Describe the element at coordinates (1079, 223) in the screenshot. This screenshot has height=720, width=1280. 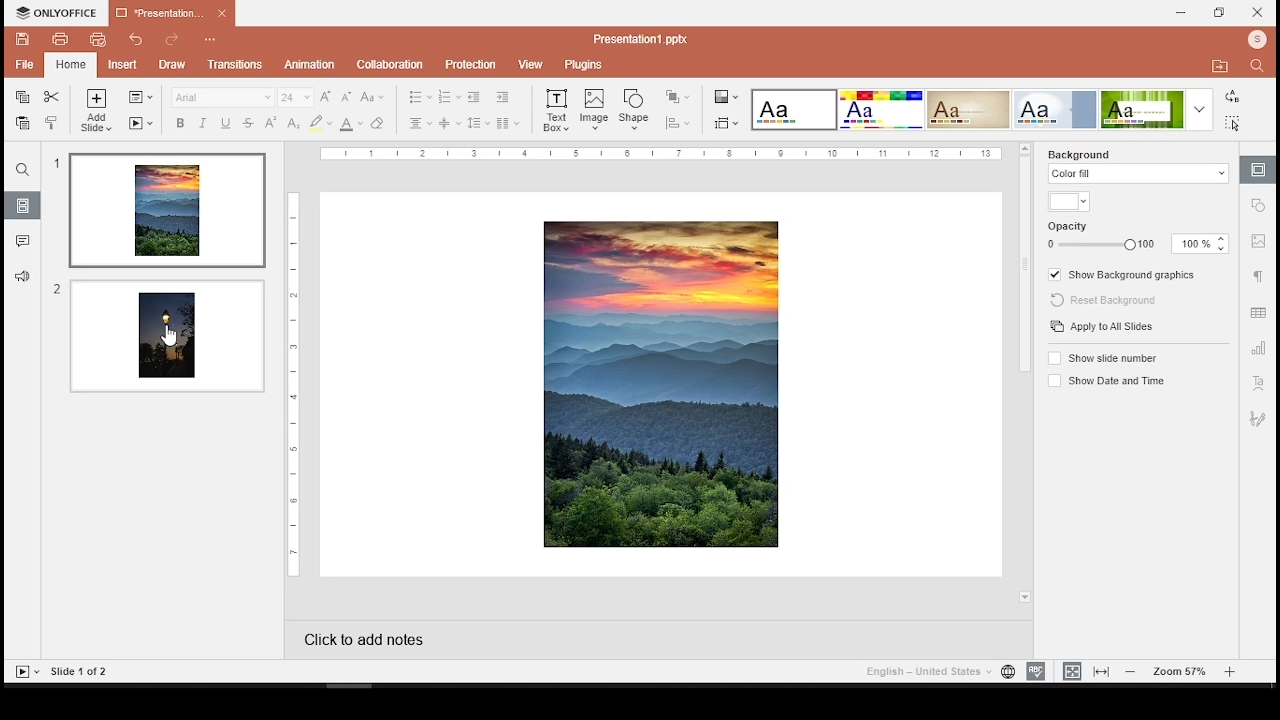
I see `opacity` at that location.